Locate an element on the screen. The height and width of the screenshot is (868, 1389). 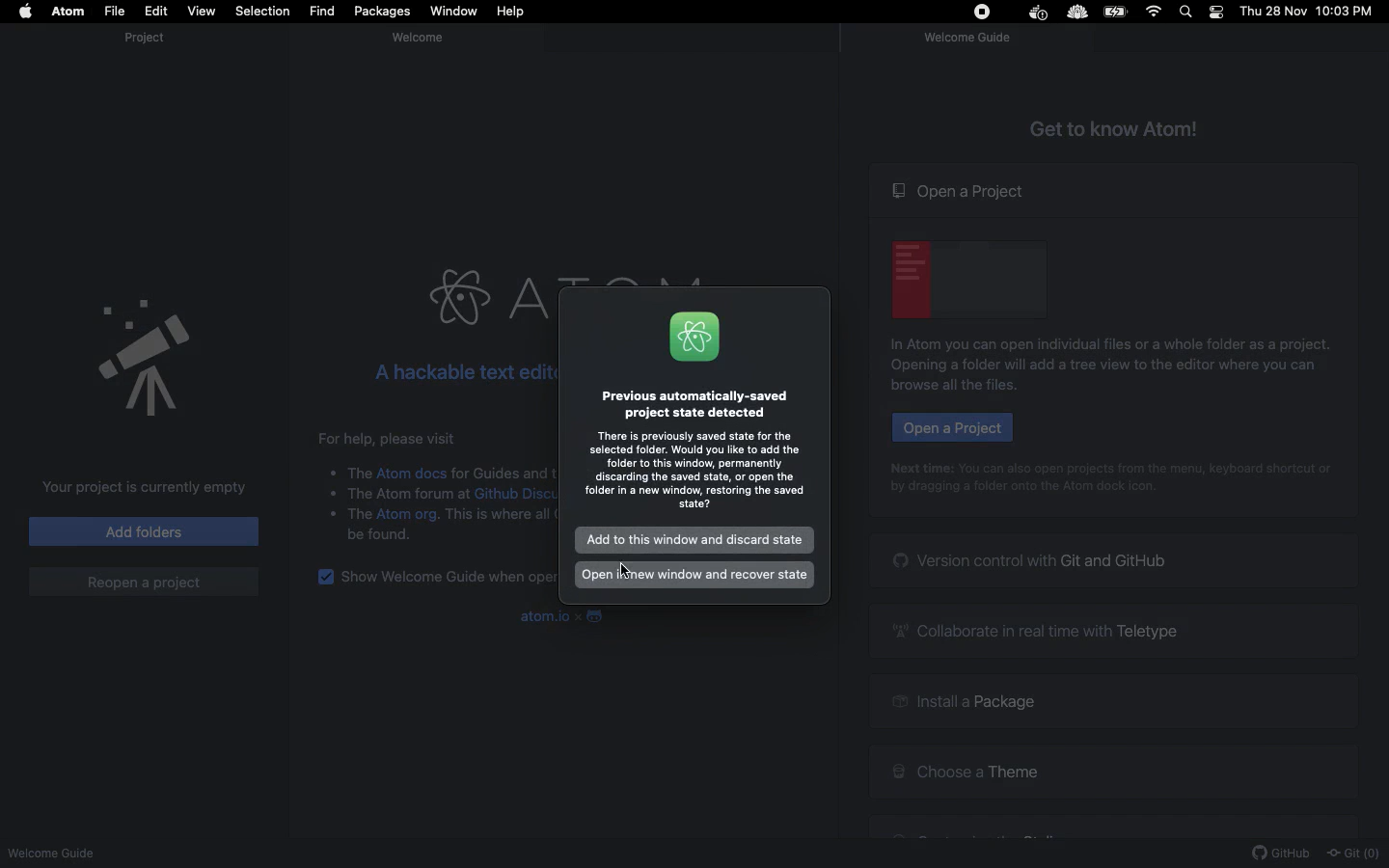
Git is located at coordinates (1352, 854).